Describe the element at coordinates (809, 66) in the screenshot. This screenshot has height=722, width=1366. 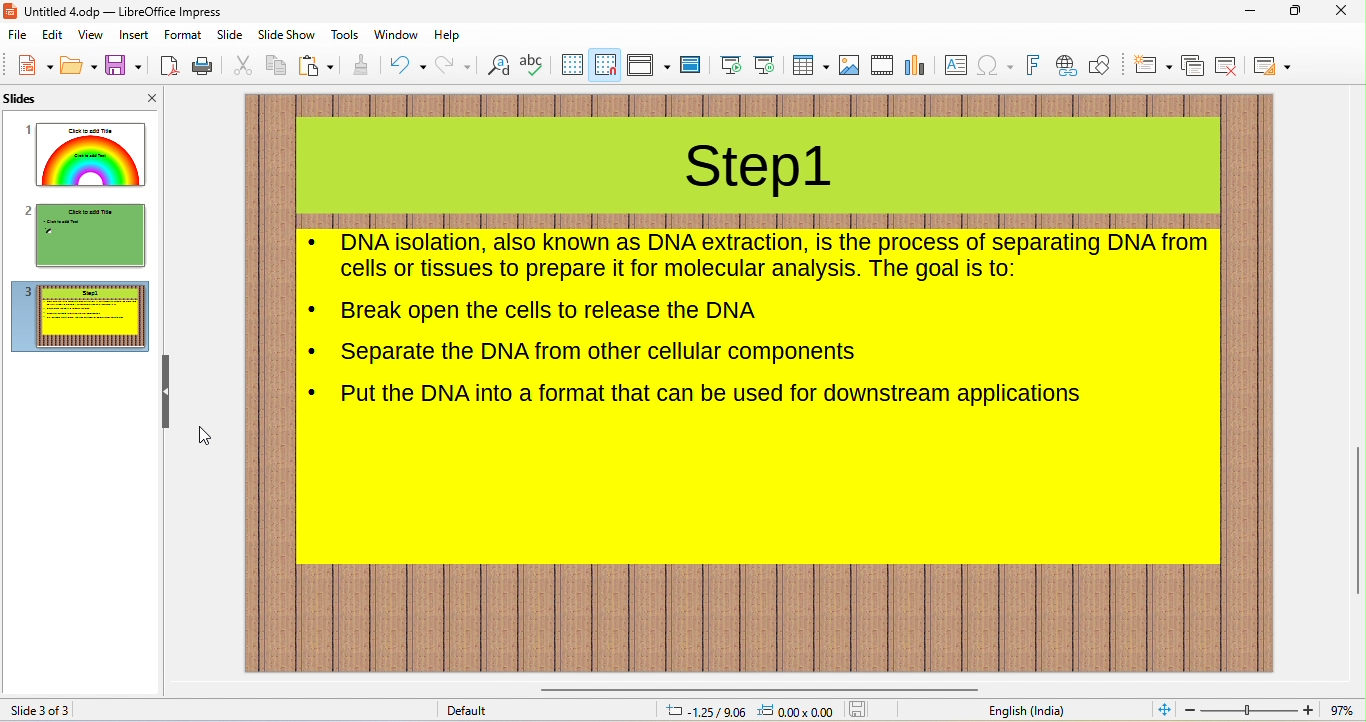
I see `table` at that location.